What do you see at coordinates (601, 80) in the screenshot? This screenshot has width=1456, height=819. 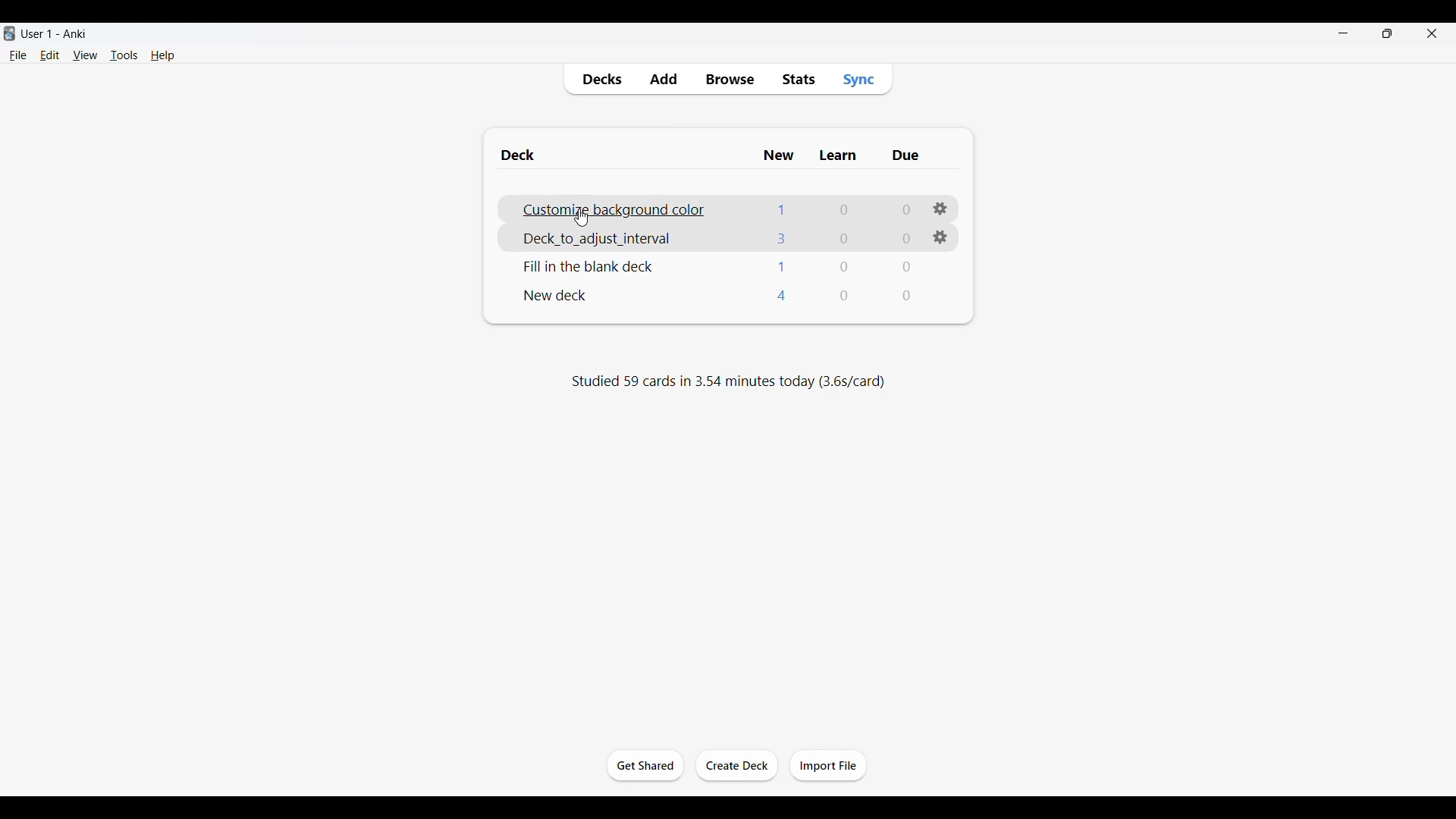 I see `Decks` at bounding box center [601, 80].